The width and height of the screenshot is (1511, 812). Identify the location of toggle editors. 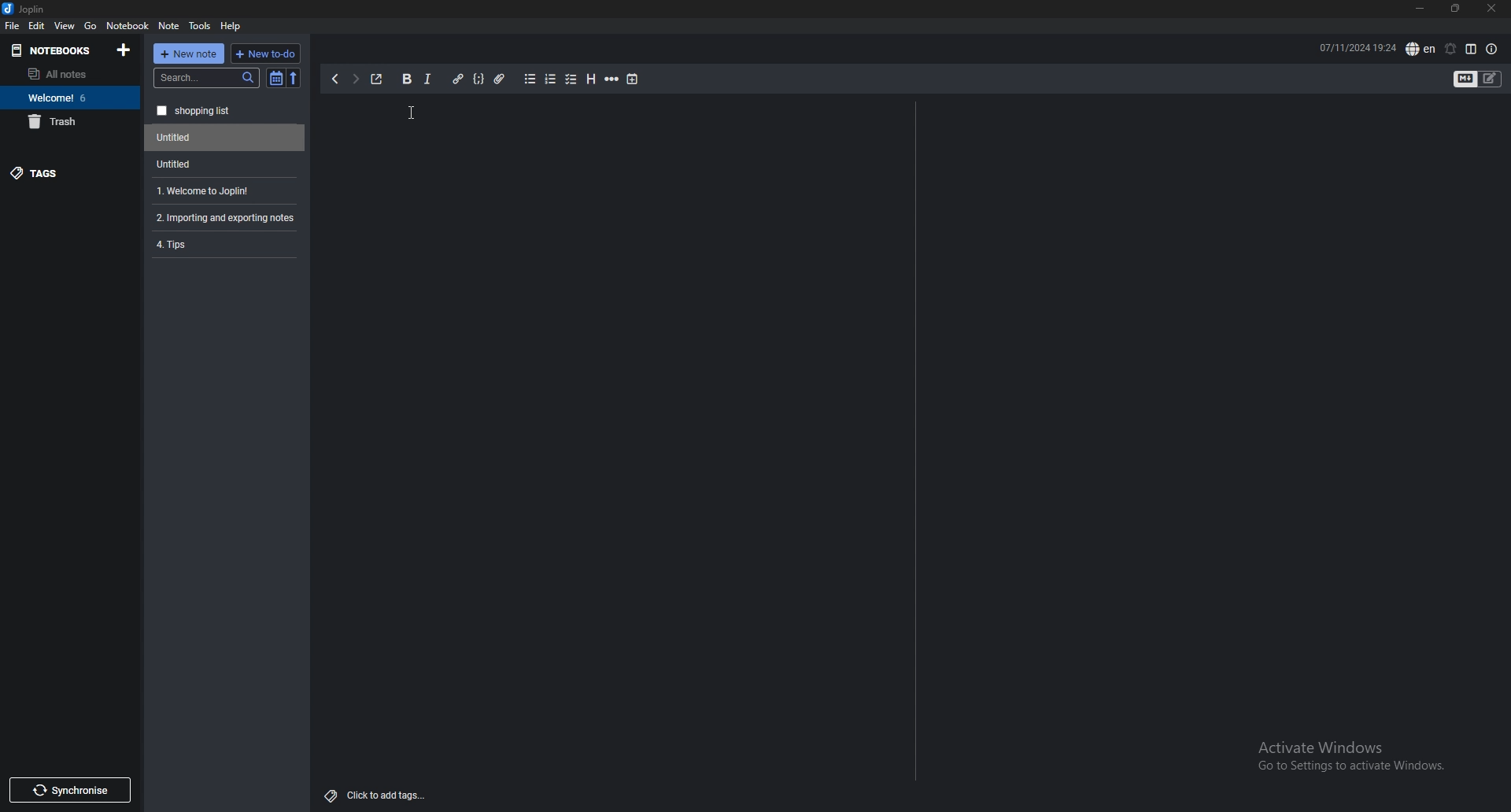
(1478, 80).